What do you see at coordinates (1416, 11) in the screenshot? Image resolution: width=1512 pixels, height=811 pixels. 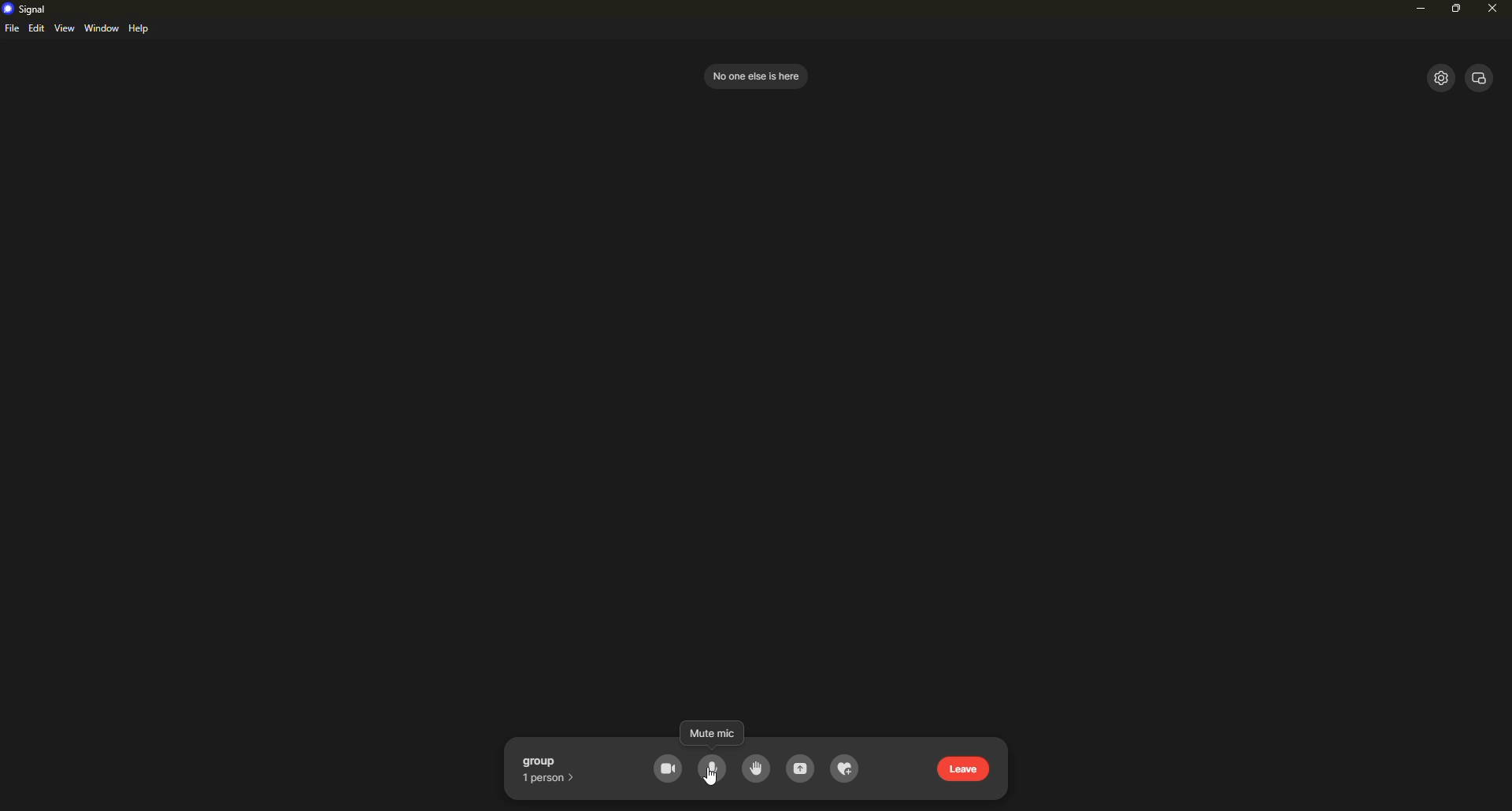 I see `minimize` at bounding box center [1416, 11].